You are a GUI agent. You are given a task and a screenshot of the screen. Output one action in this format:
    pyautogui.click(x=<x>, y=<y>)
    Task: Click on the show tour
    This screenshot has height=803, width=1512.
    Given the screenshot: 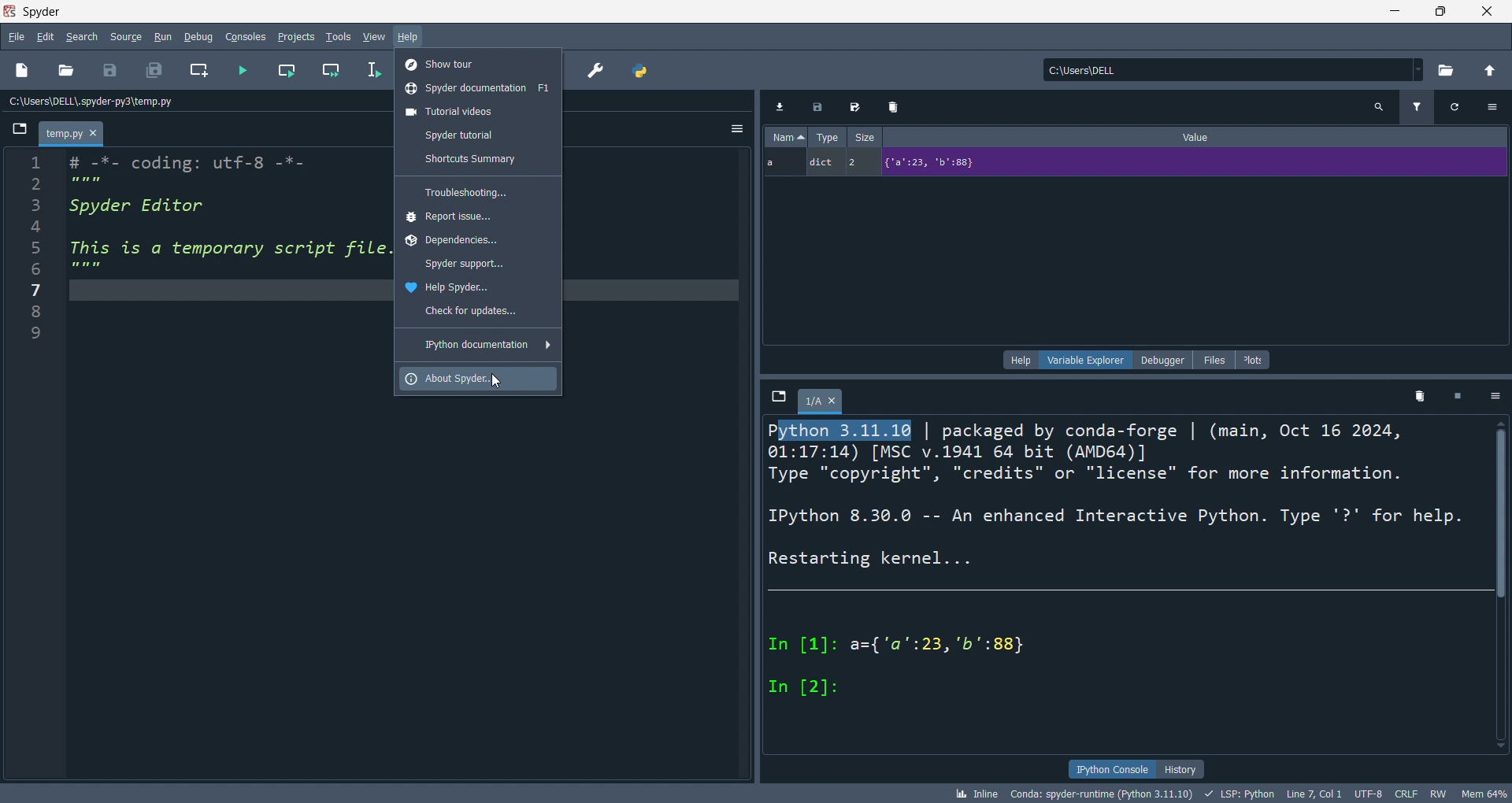 What is the action you would take?
    pyautogui.click(x=480, y=63)
    